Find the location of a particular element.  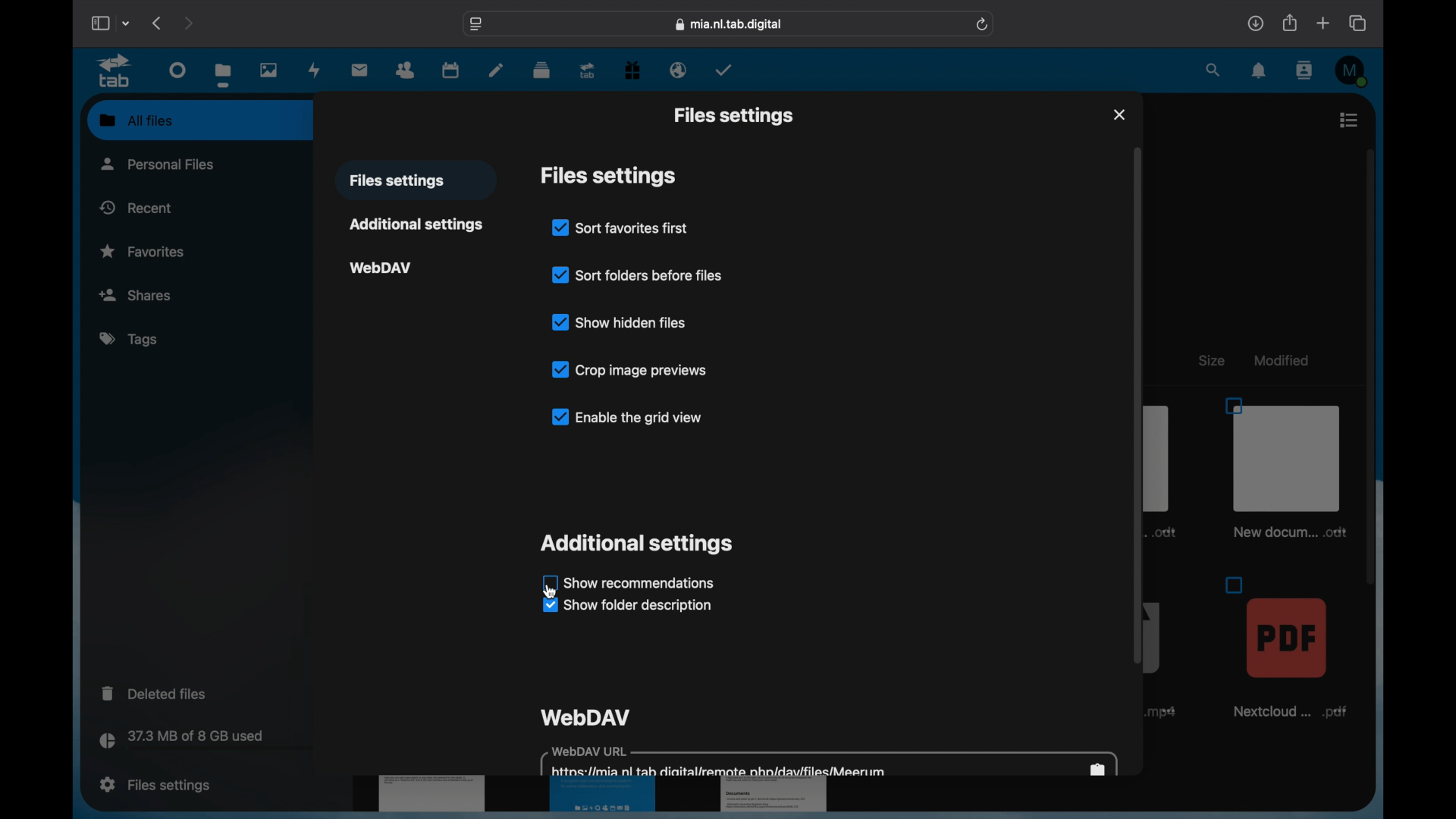

webdav is located at coordinates (586, 717).